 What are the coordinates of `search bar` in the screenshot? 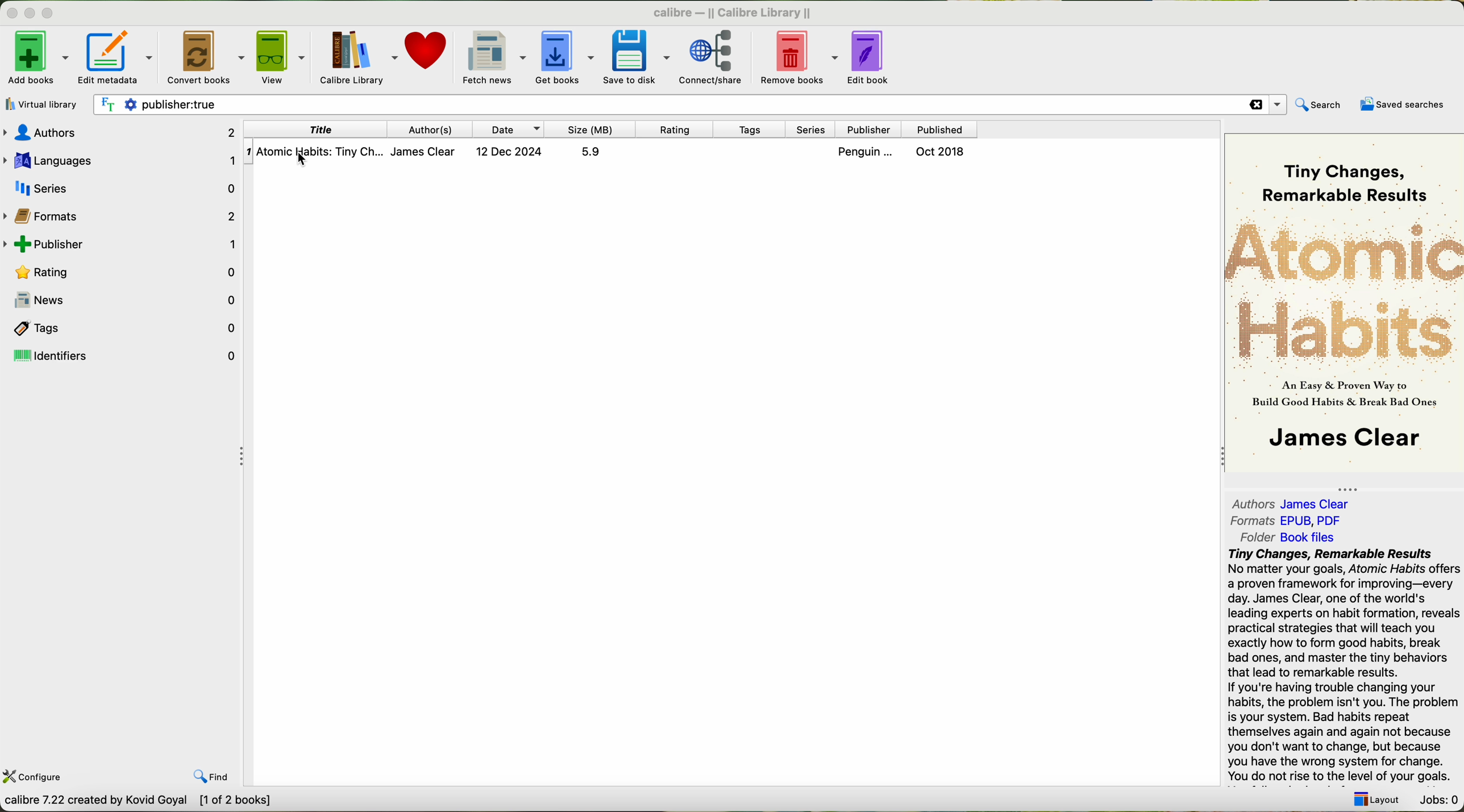 It's located at (690, 106).